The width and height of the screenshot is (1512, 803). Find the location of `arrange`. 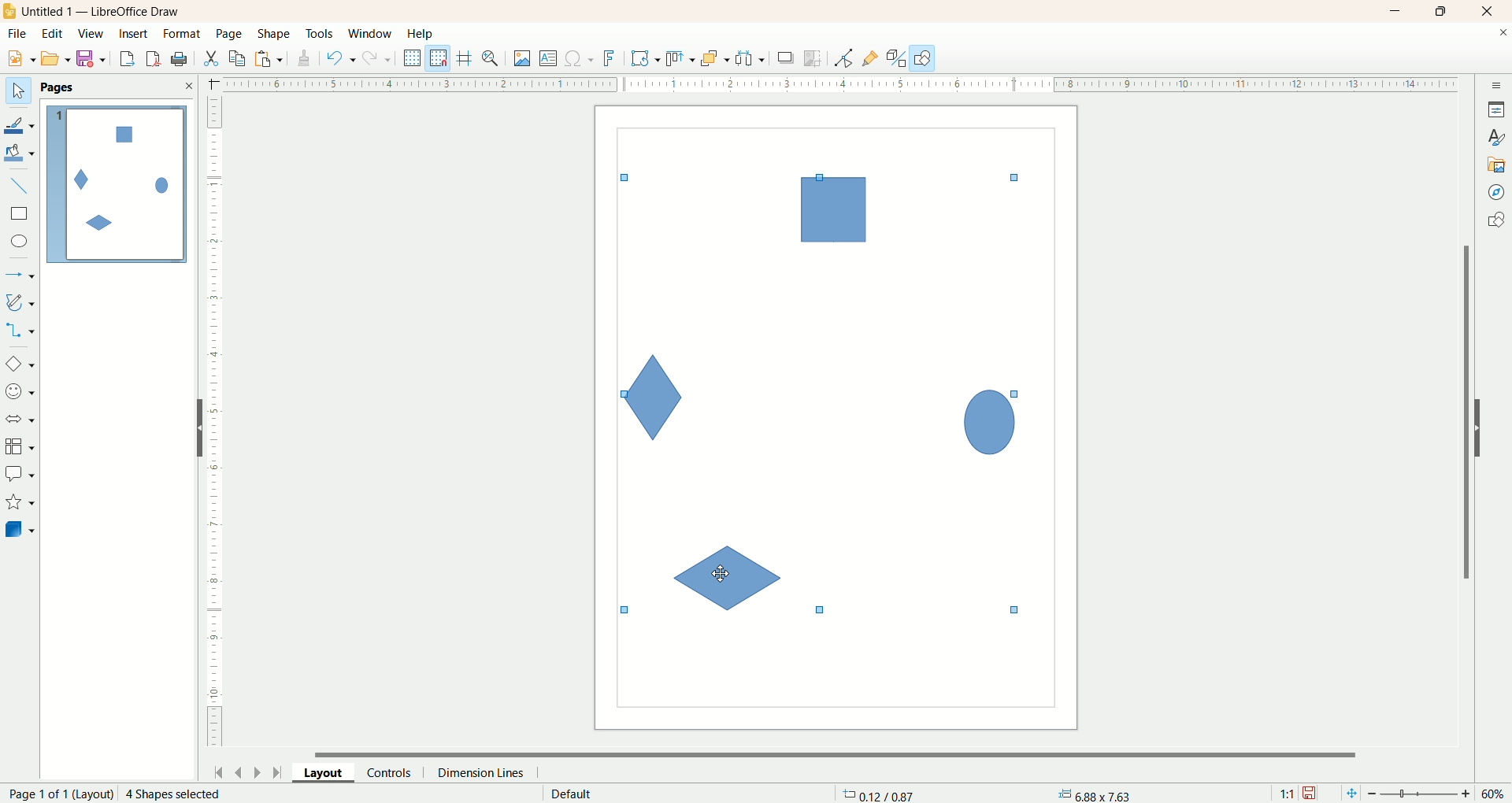

arrange is located at coordinates (716, 57).